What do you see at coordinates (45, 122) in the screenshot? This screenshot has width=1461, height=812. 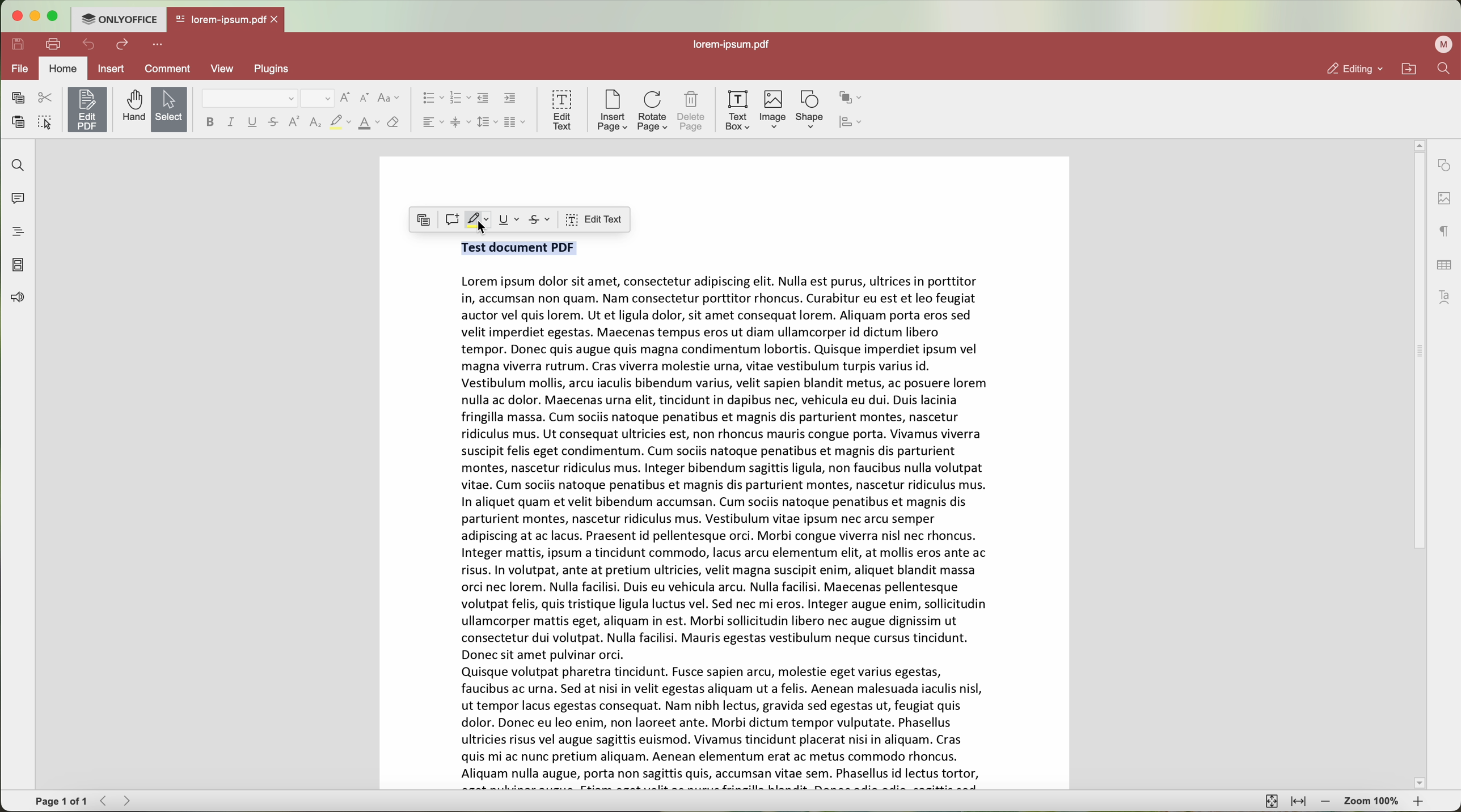 I see `select all` at bounding box center [45, 122].